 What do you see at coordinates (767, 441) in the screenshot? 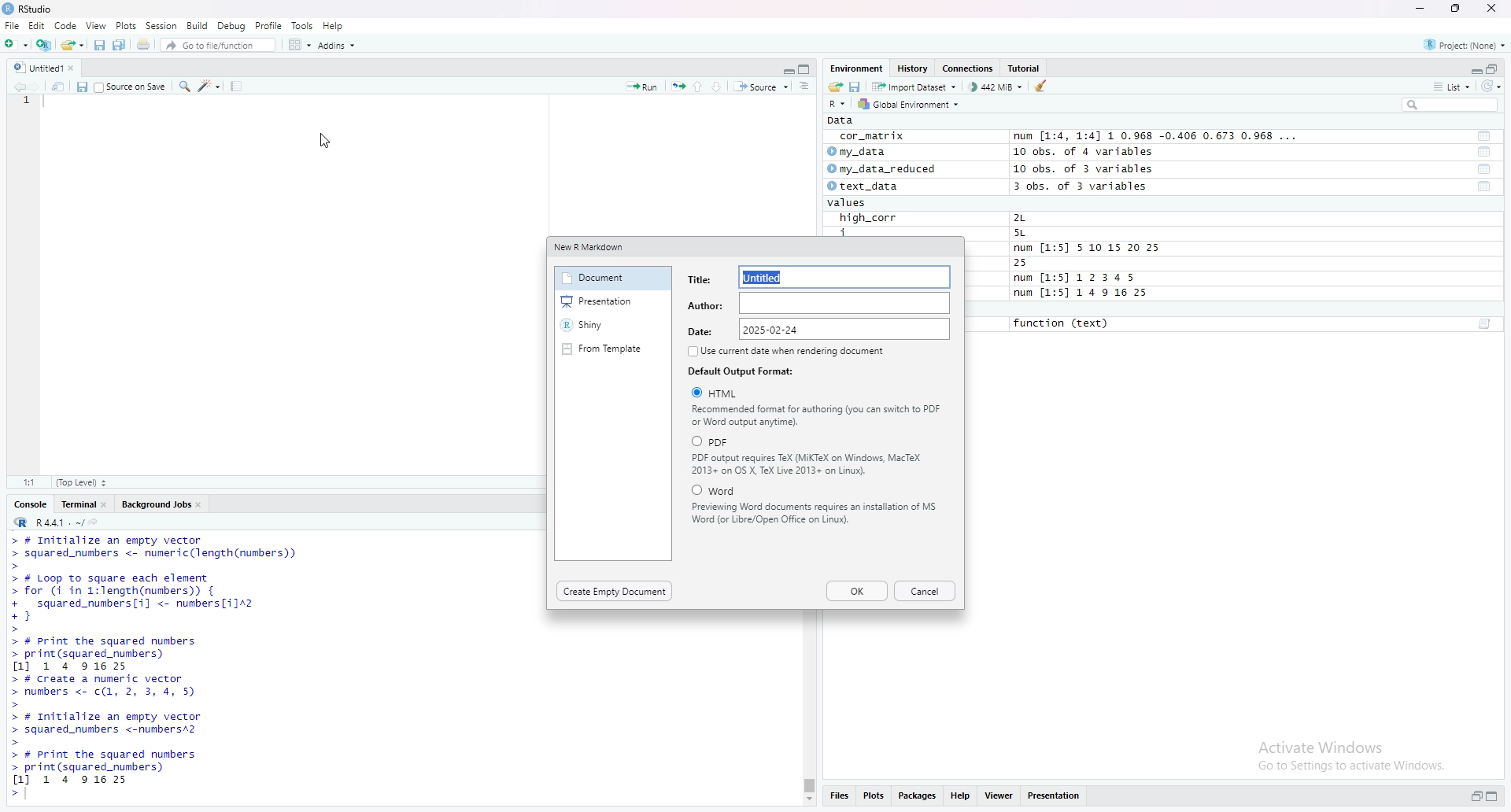
I see `PDF` at bounding box center [767, 441].